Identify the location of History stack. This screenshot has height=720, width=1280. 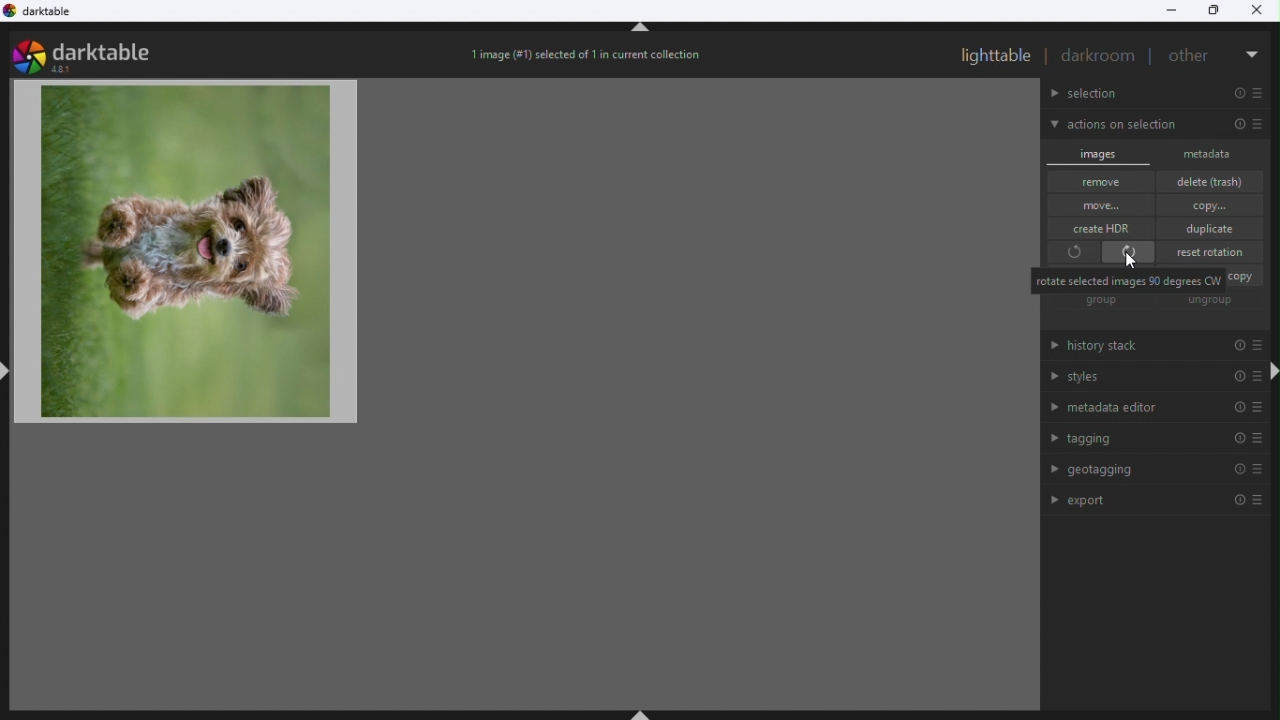
(1144, 348).